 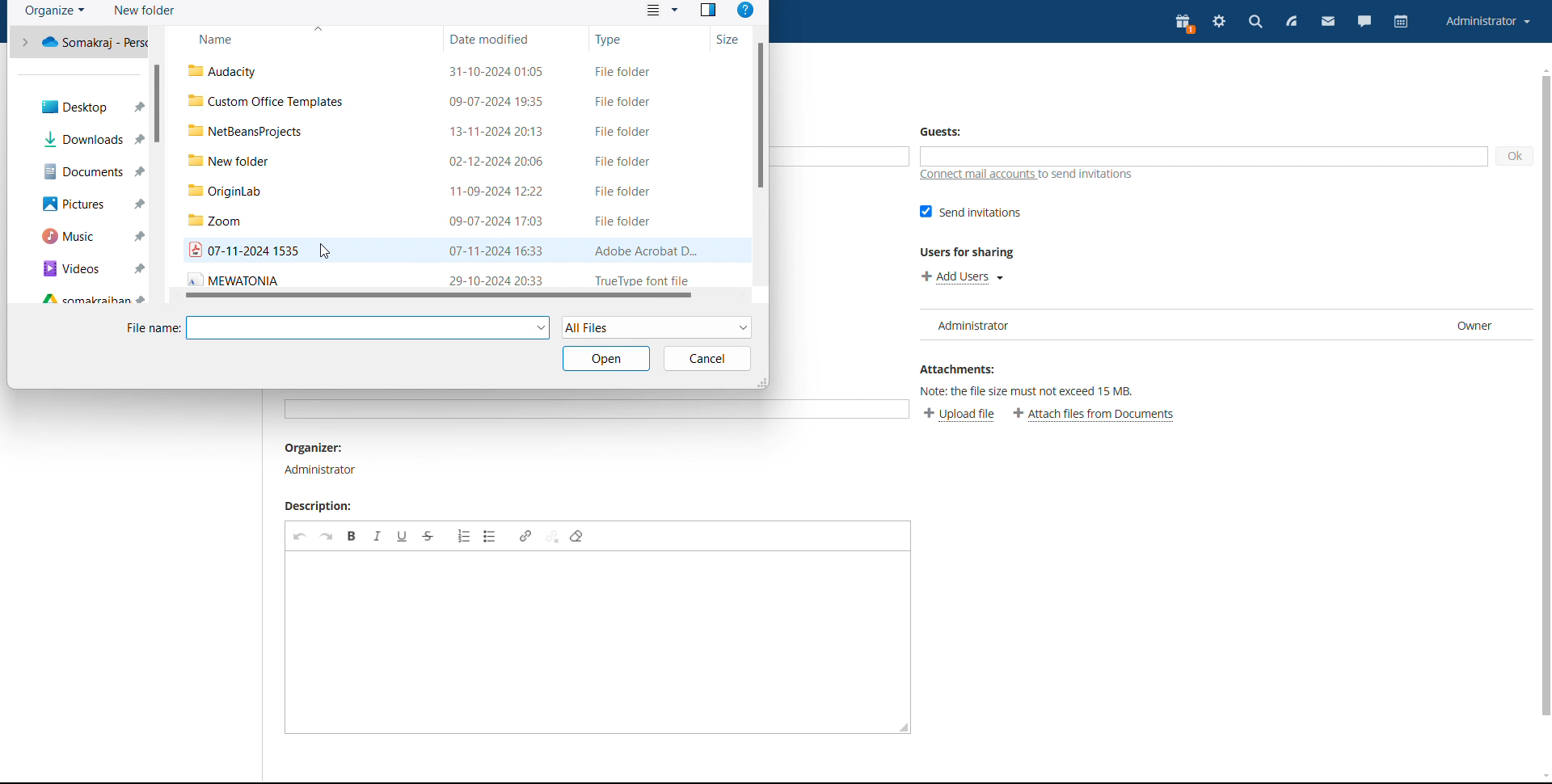 What do you see at coordinates (664, 11) in the screenshot?
I see `view` at bounding box center [664, 11].